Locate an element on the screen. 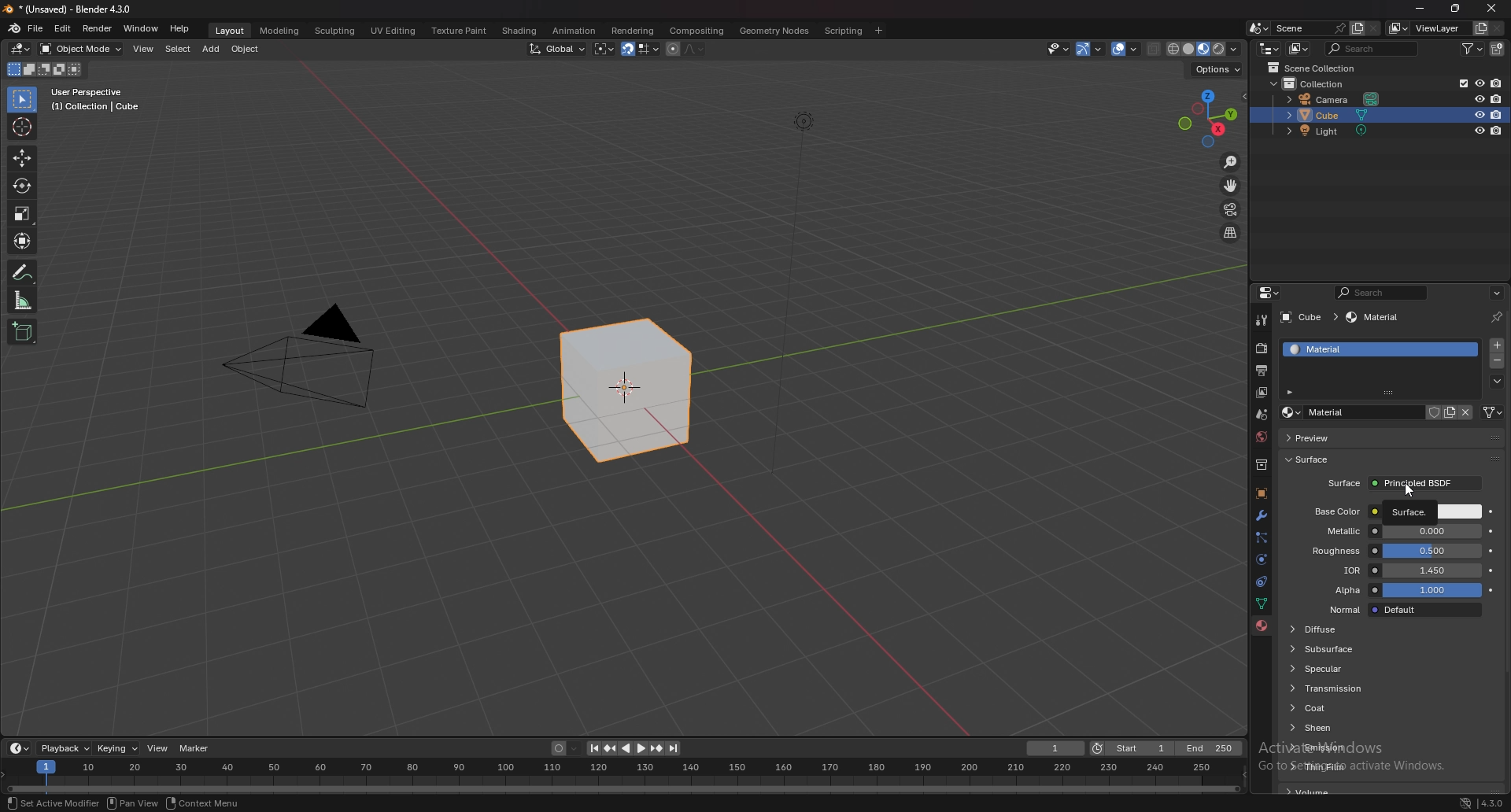 The image size is (1511, 812). add workspace is located at coordinates (878, 30).